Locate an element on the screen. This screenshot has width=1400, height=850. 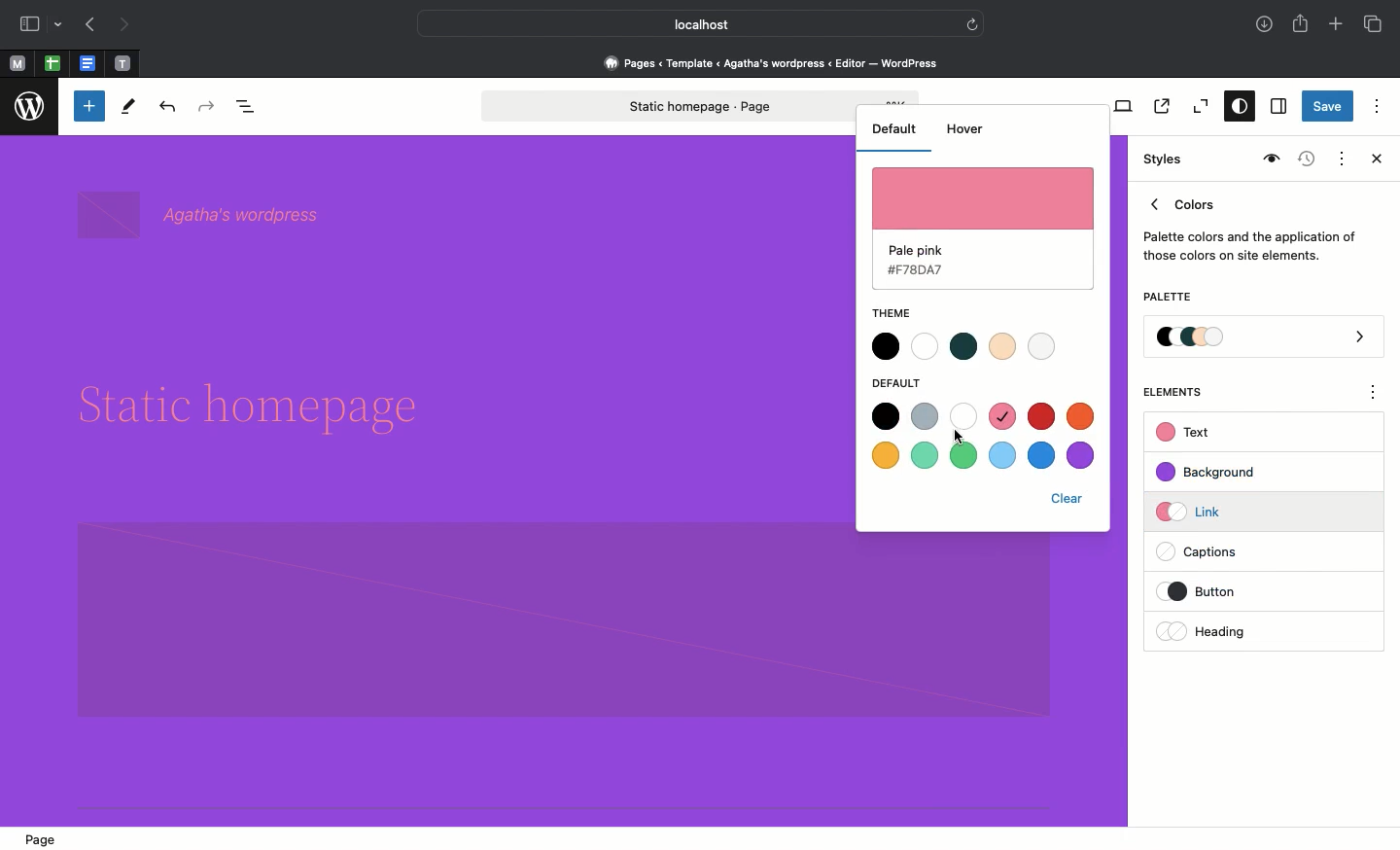
Heading is located at coordinates (1206, 631).